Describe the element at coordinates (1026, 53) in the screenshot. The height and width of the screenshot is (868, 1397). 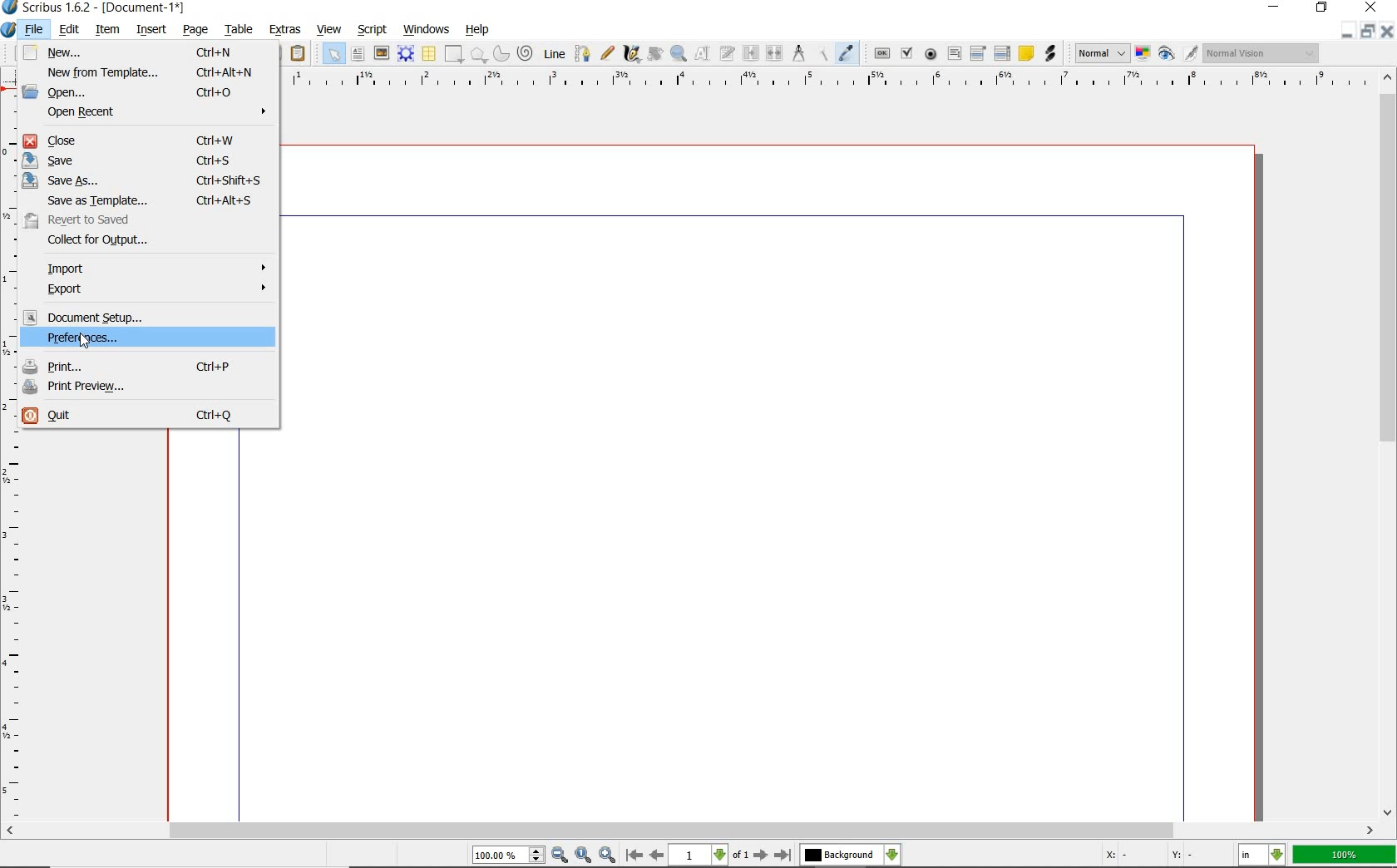
I see `text annotation` at that location.